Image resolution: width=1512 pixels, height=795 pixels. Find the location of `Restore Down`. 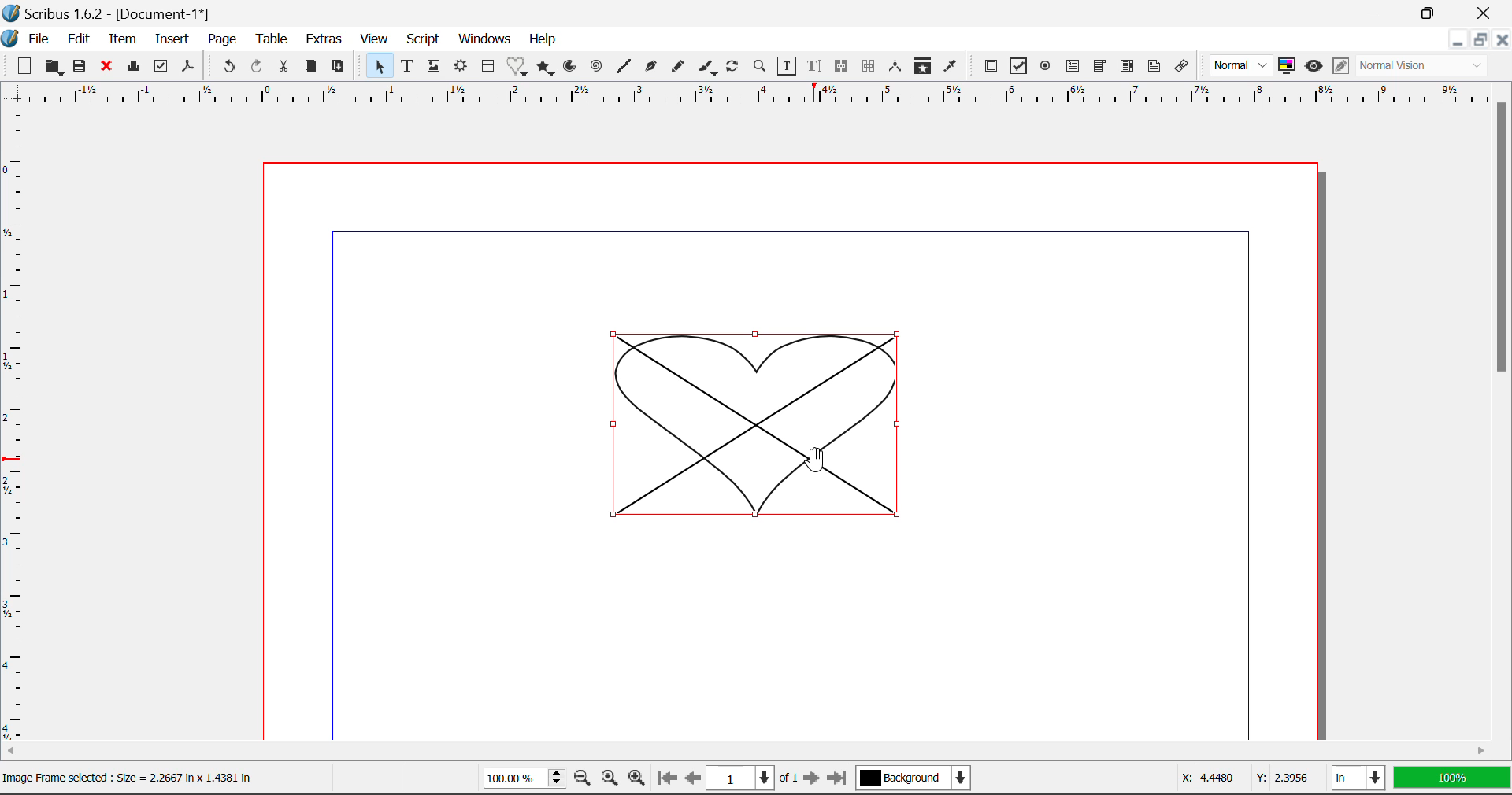

Restore Down is located at coordinates (1378, 12).